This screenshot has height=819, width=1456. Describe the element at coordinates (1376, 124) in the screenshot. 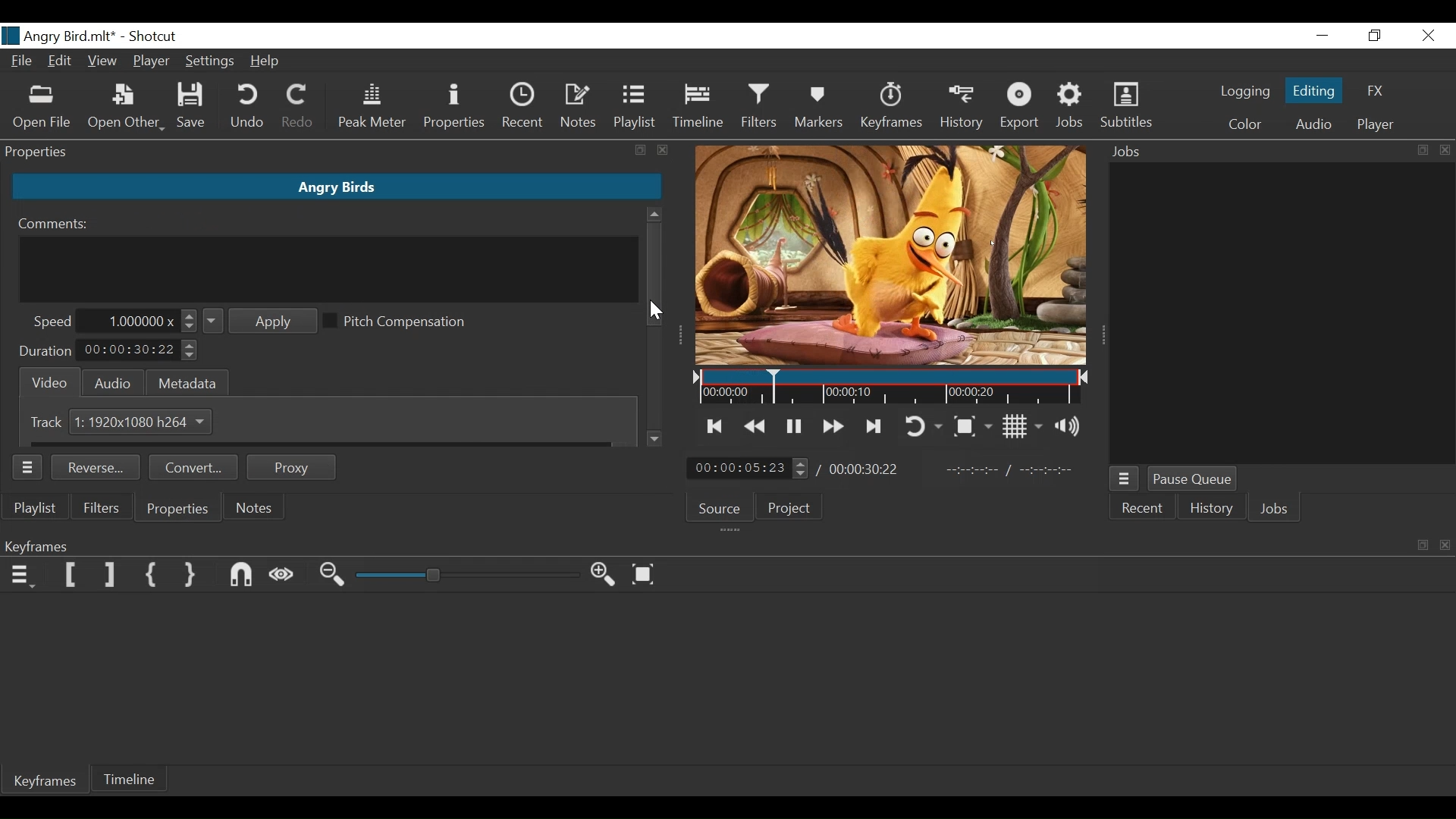

I see `Player` at that location.